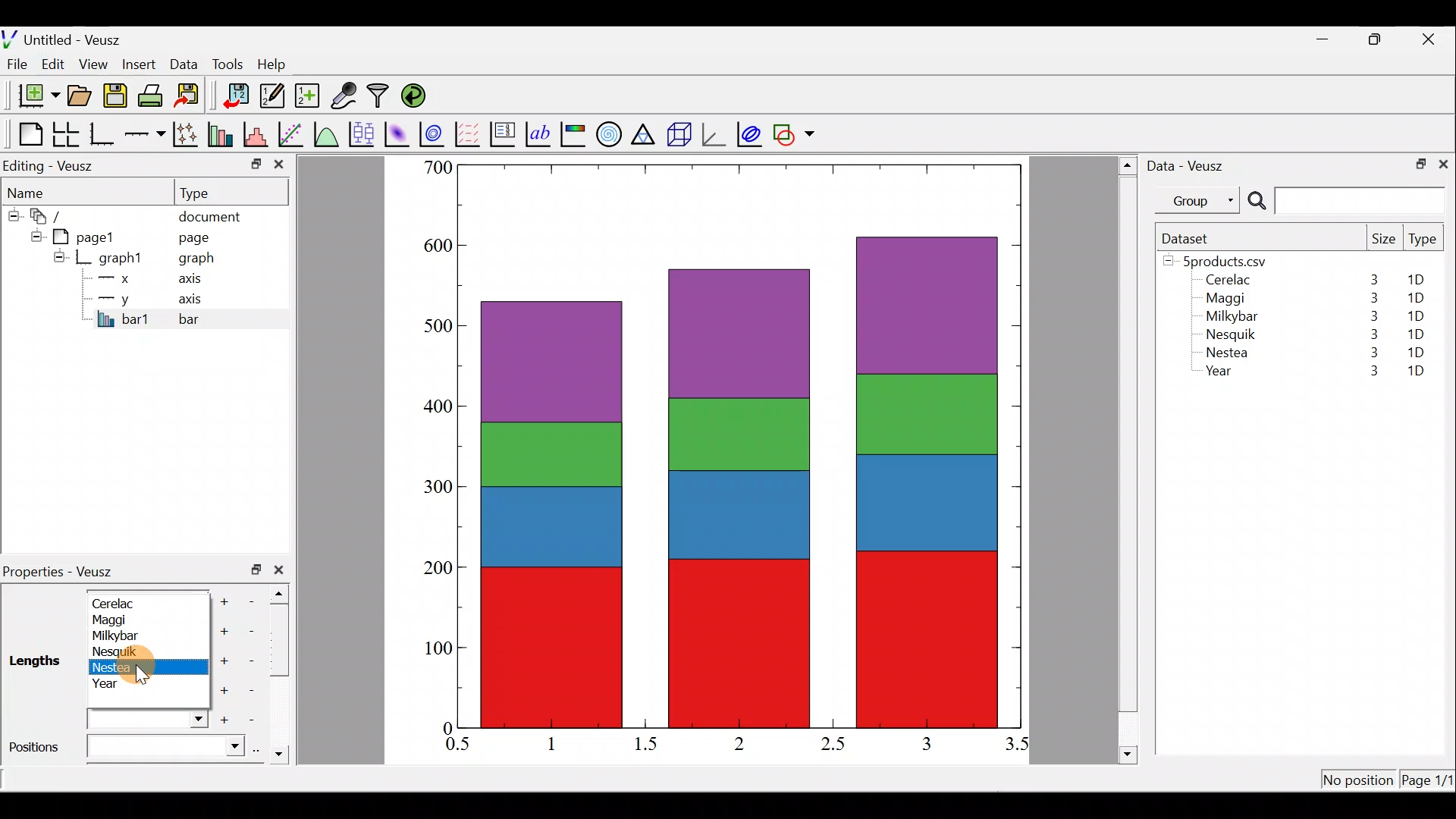 Image resolution: width=1456 pixels, height=819 pixels. What do you see at coordinates (59, 256) in the screenshot?
I see `hide` at bounding box center [59, 256].